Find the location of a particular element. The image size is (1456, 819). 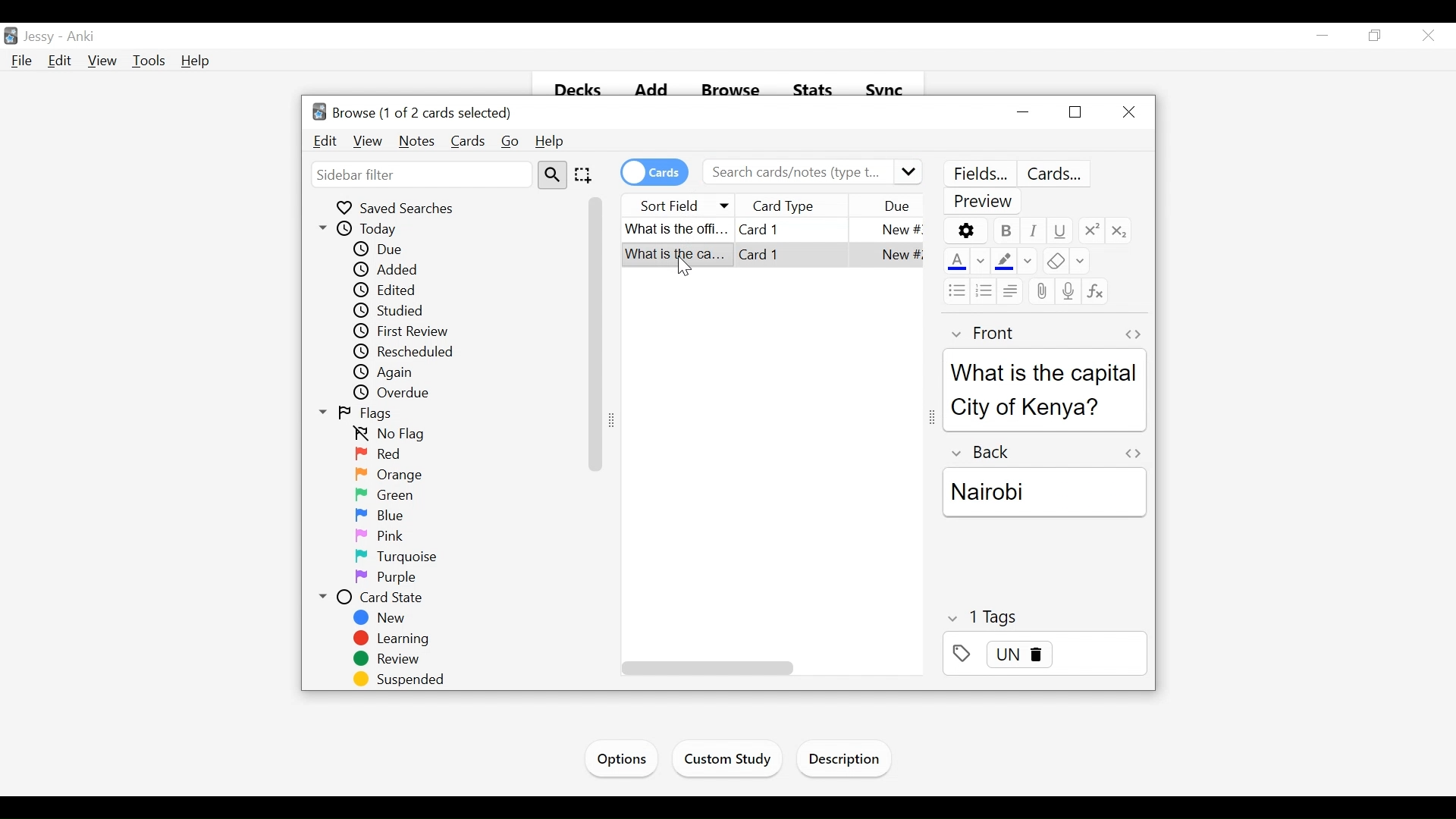

Underline is located at coordinates (1059, 231).